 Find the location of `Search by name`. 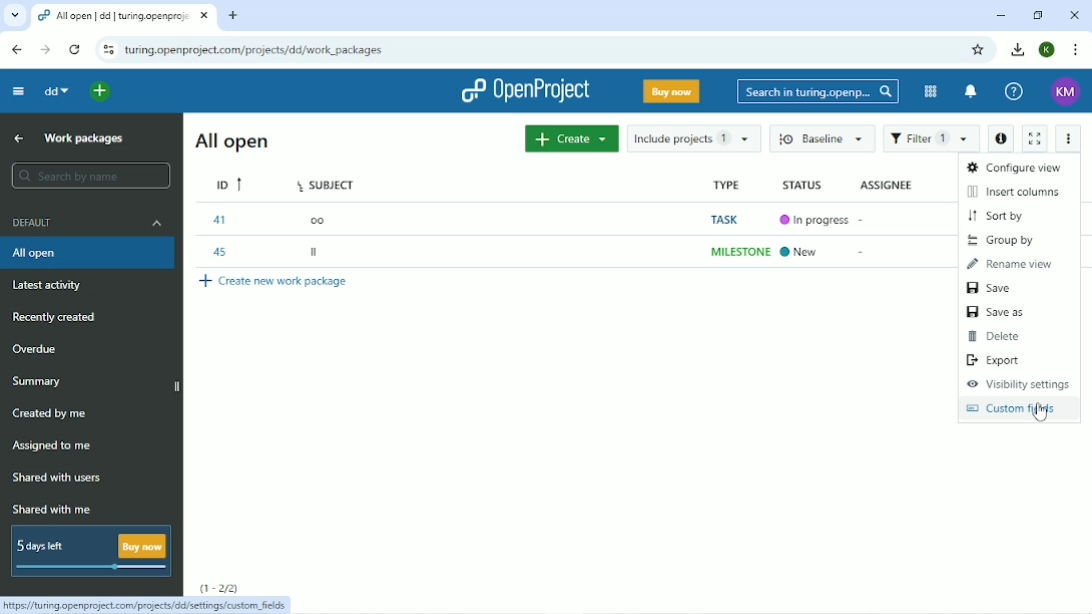

Search by name is located at coordinates (90, 175).